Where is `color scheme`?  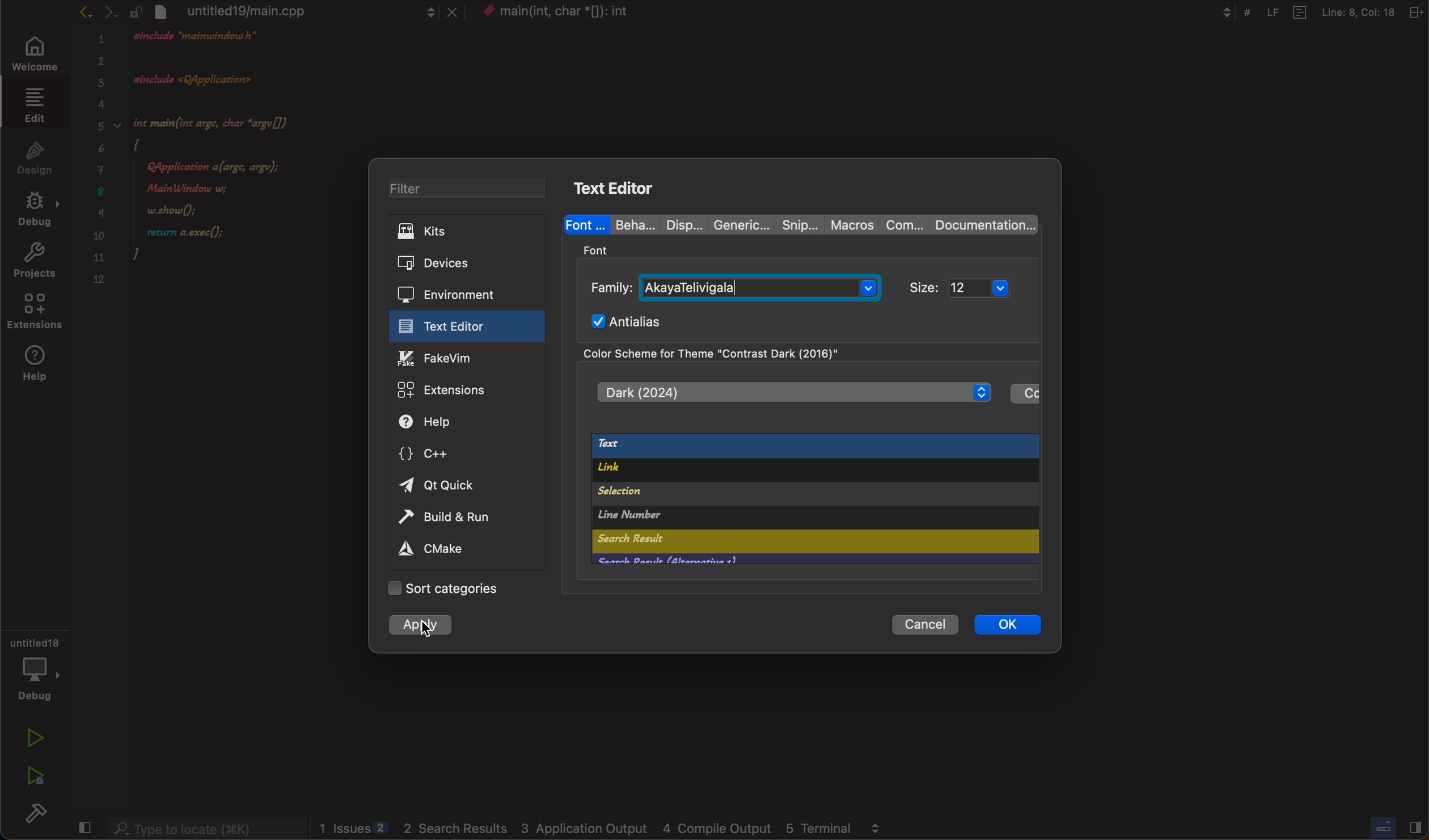 color scheme is located at coordinates (747, 353).